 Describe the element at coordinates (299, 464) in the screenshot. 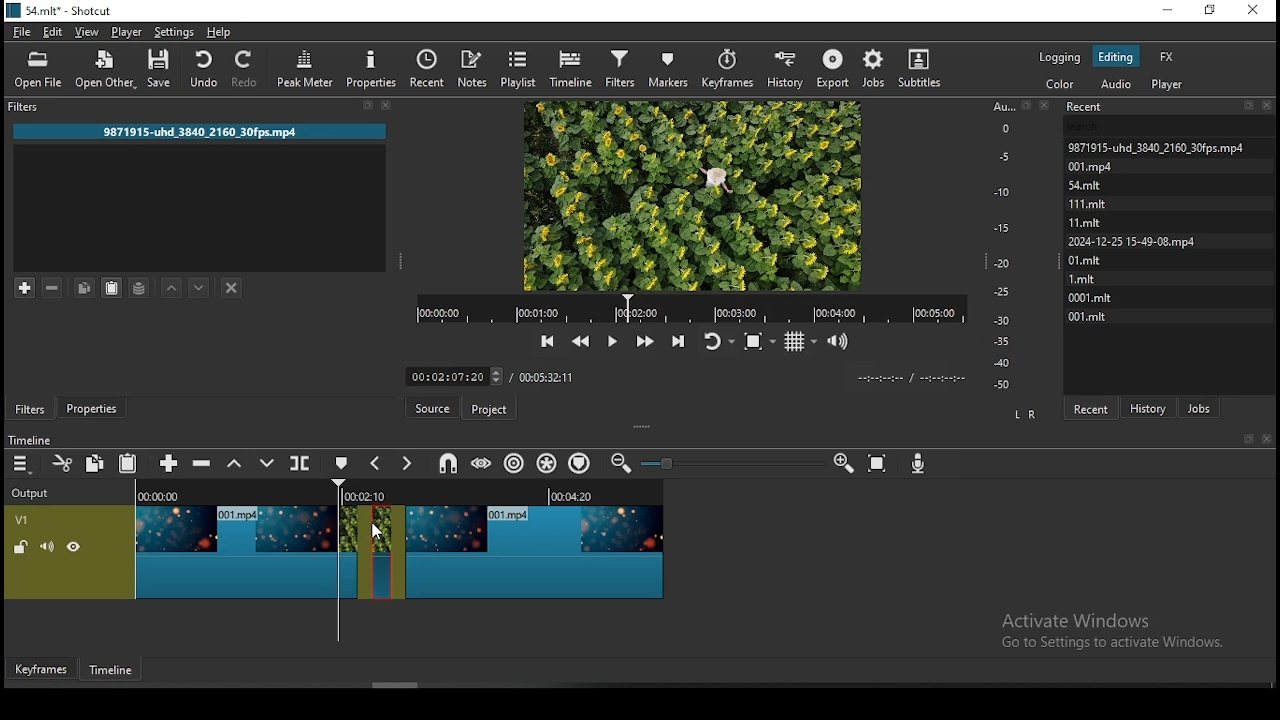

I see `split at playhead` at that location.